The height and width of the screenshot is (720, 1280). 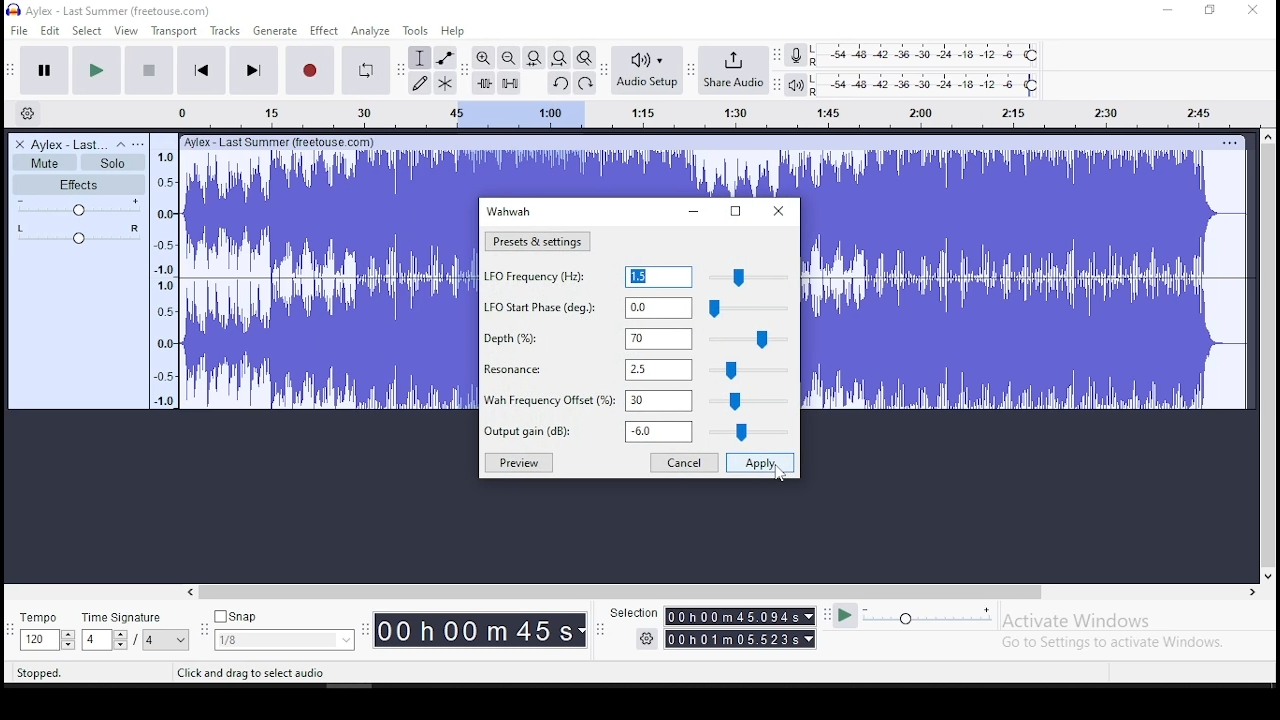 What do you see at coordinates (641, 174) in the screenshot?
I see `audio track` at bounding box center [641, 174].